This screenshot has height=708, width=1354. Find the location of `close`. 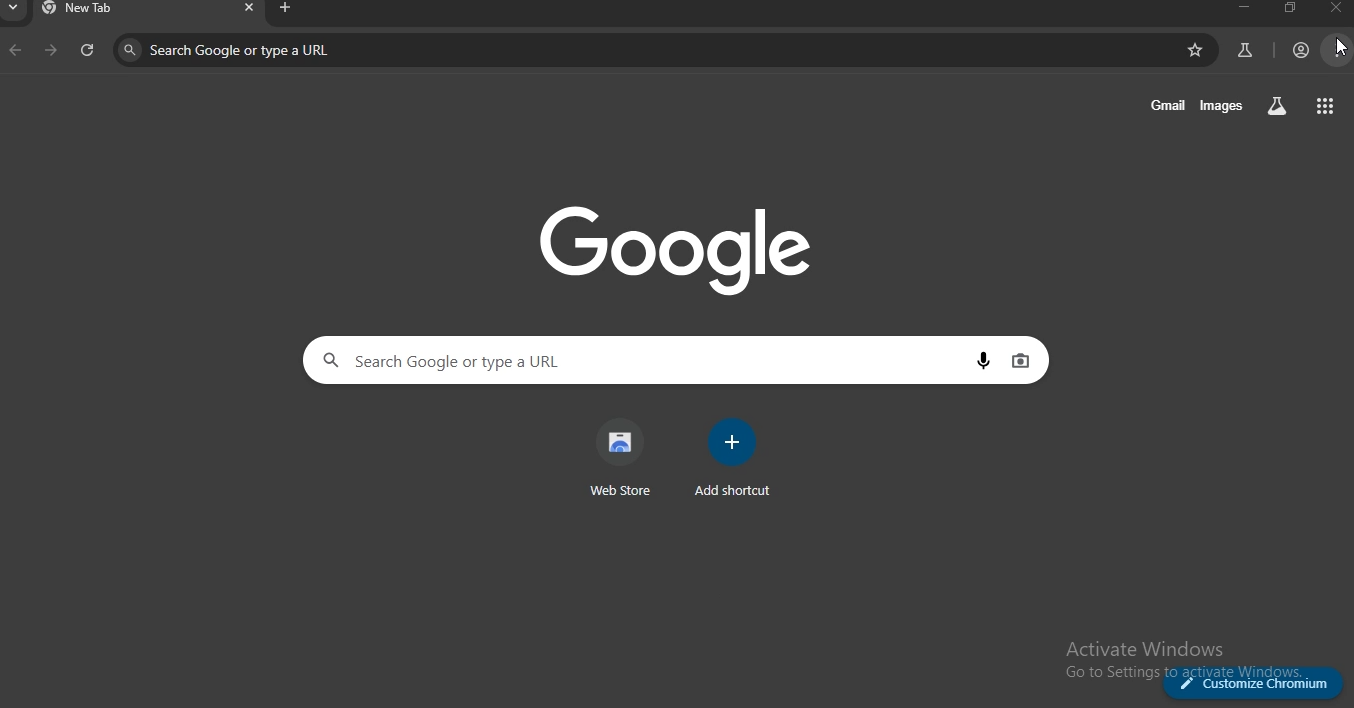

close is located at coordinates (247, 10).